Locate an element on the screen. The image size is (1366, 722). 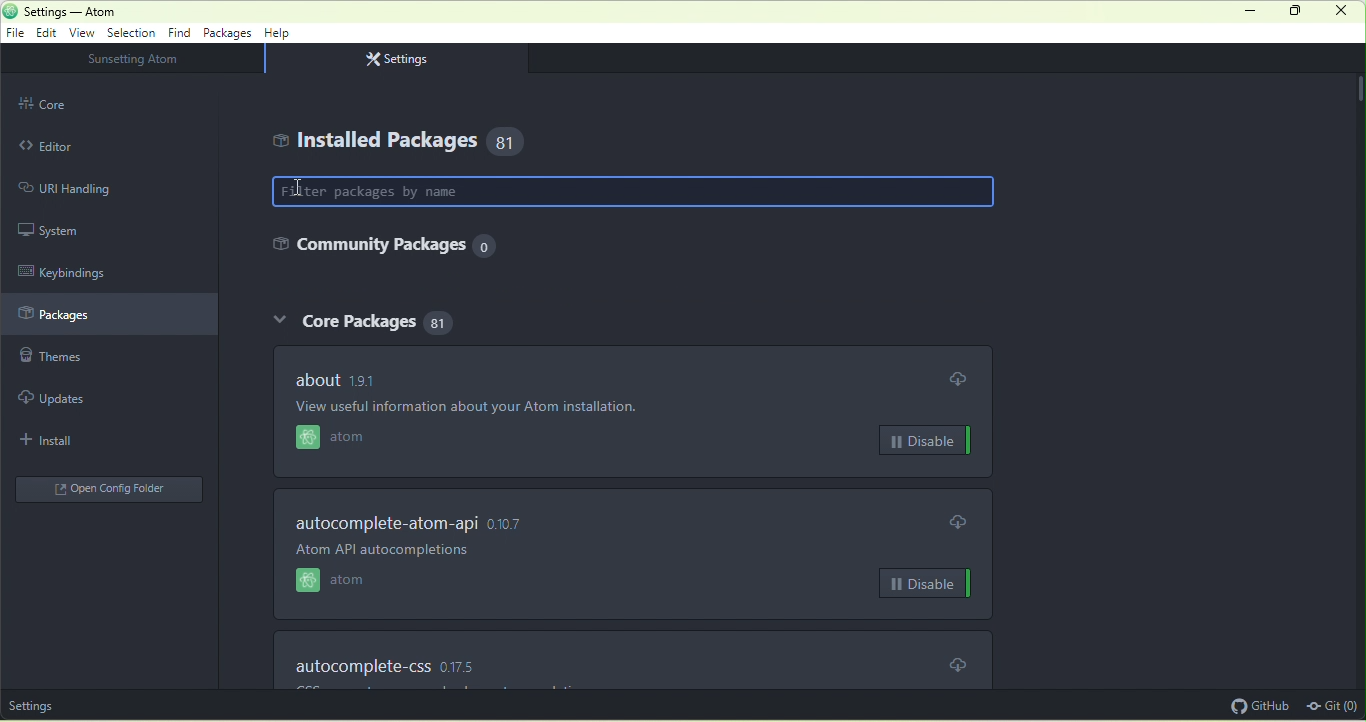
settings is located at coordinates (403, 58).